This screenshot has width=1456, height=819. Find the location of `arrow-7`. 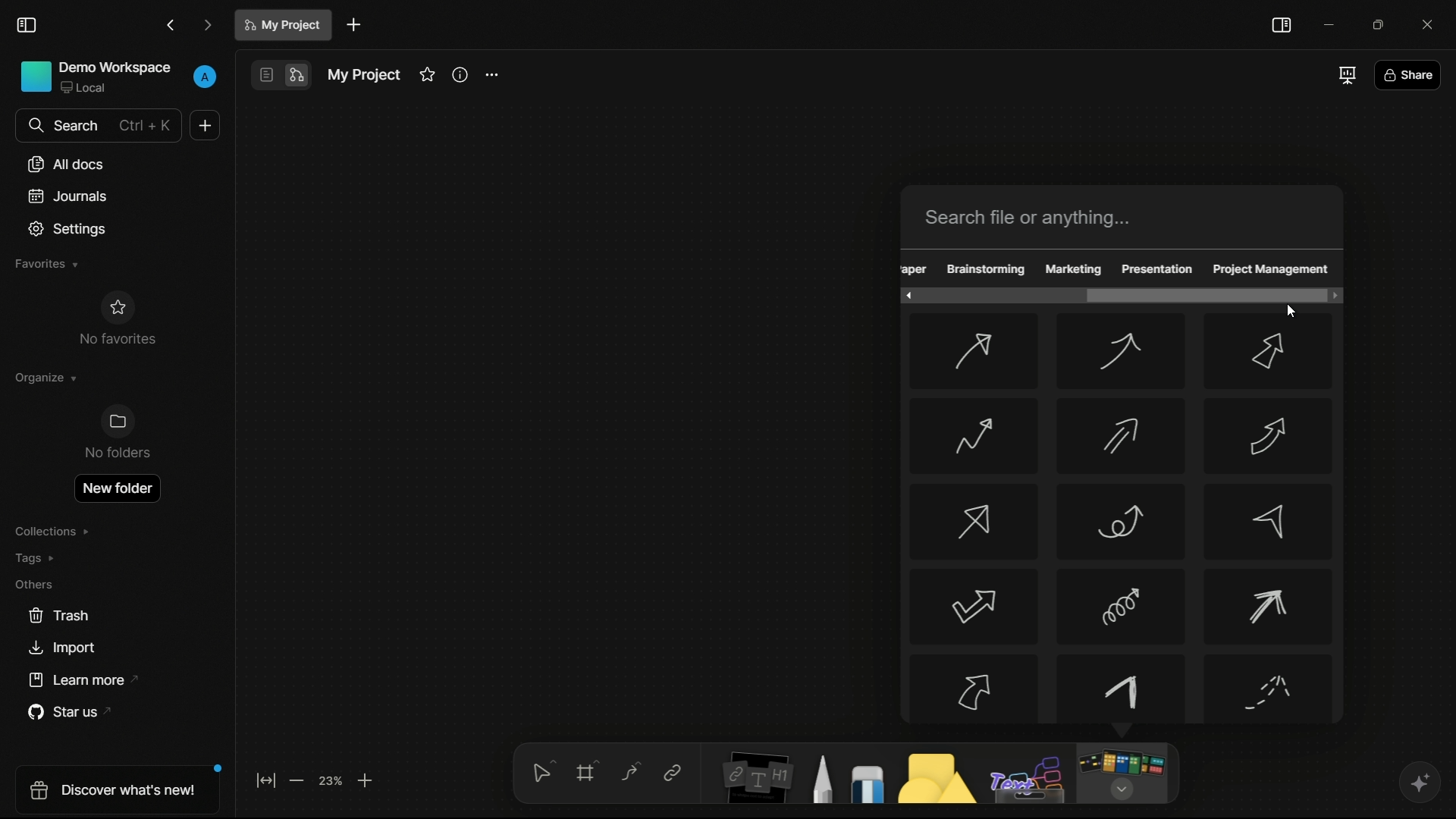

arrow-7 is located at coordinates (974, 521).